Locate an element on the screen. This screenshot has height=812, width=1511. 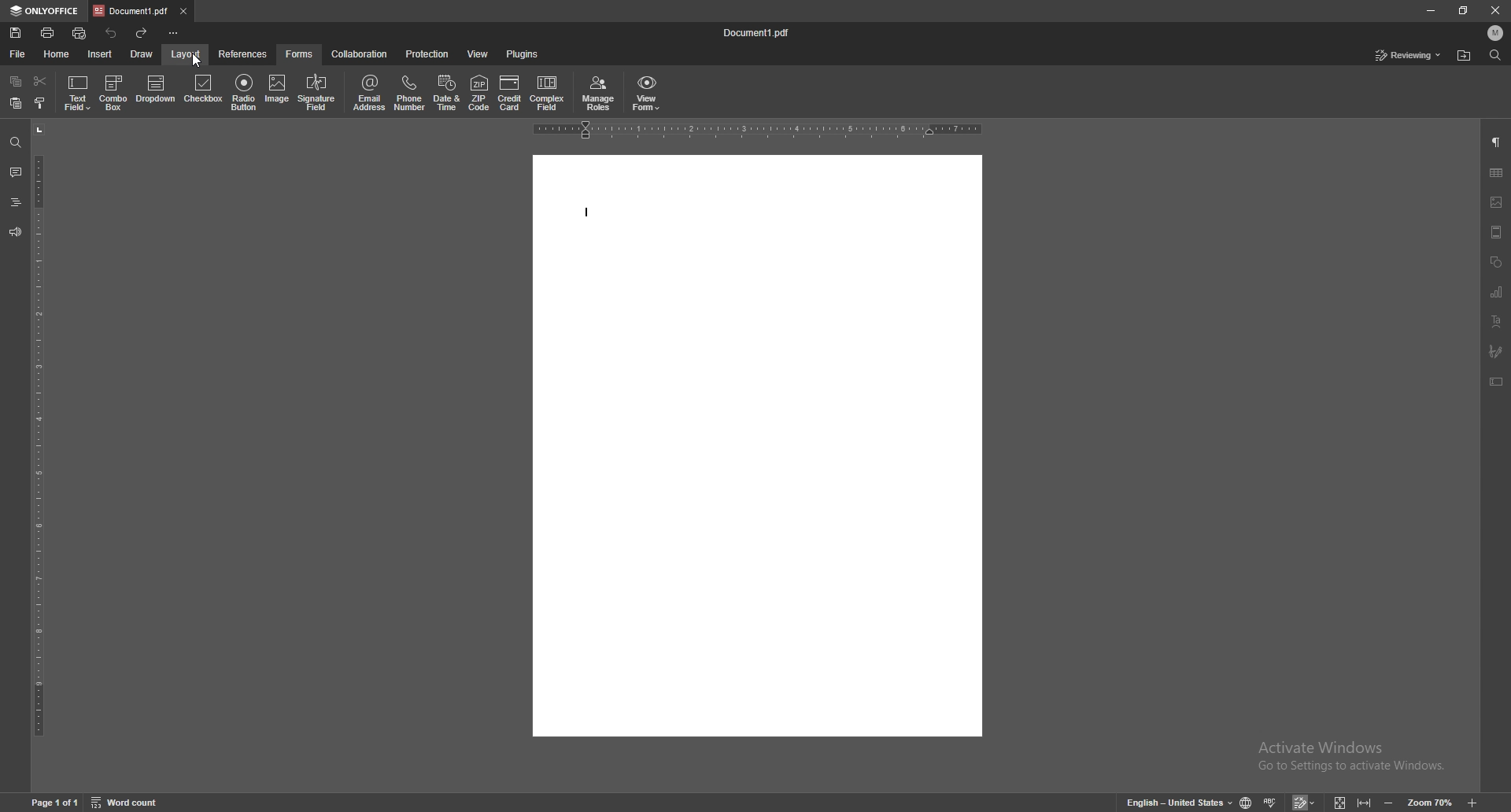
find is located at coordinates (15, 143).